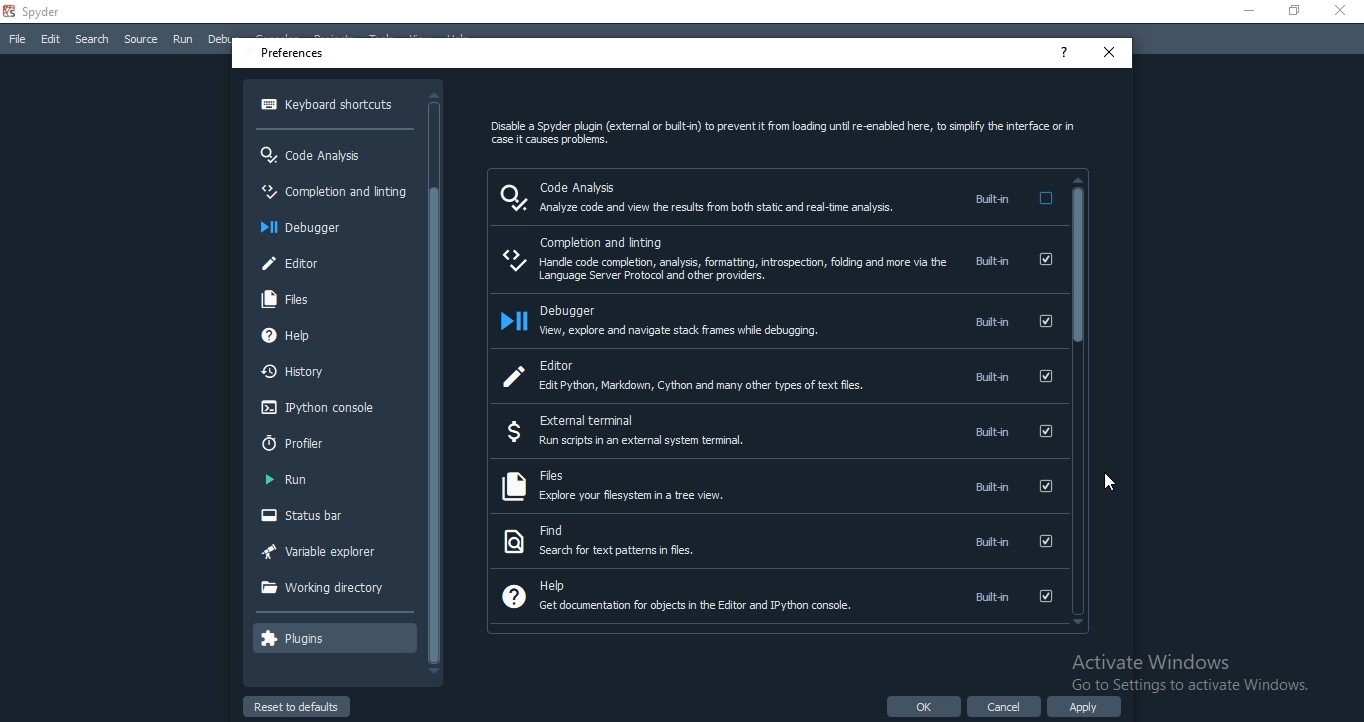  Describe the element at coordinates (776, 432) in the screenshot. I see `external ternimal` at that location.